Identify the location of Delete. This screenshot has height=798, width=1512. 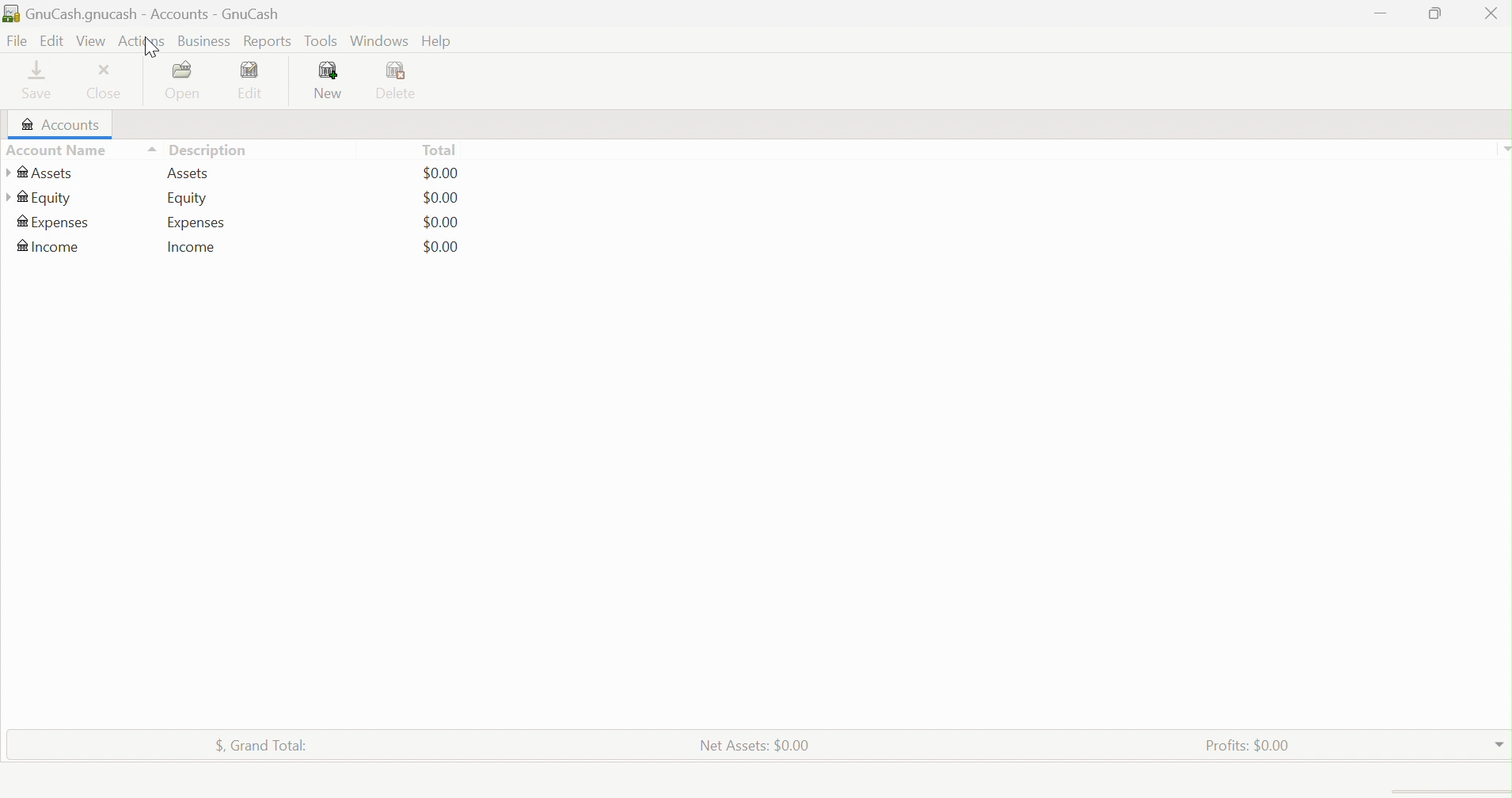
(401, 82).